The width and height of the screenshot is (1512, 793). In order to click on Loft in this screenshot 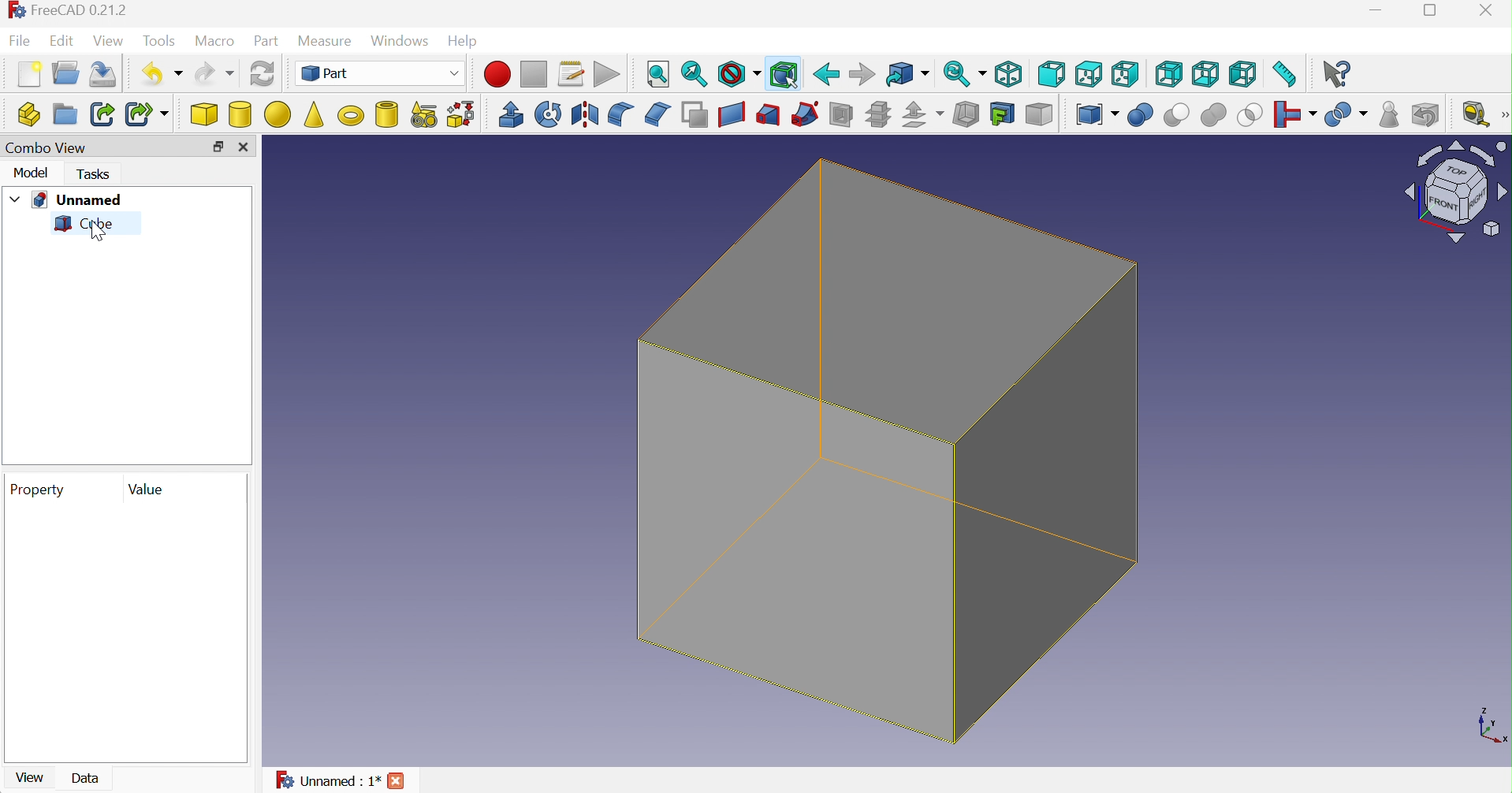, I will do `click(769, 114)`.